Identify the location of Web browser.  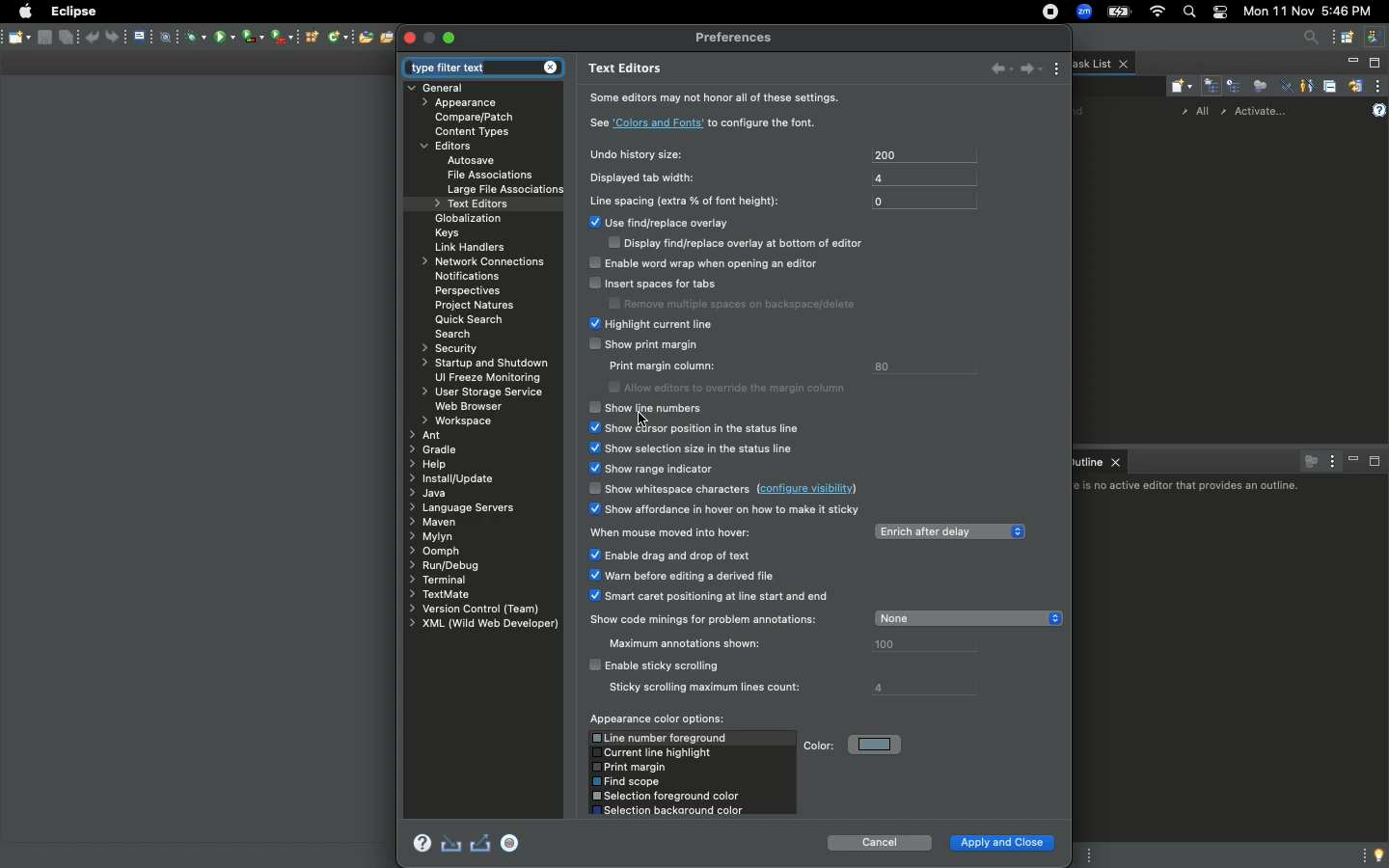
(472, 406).